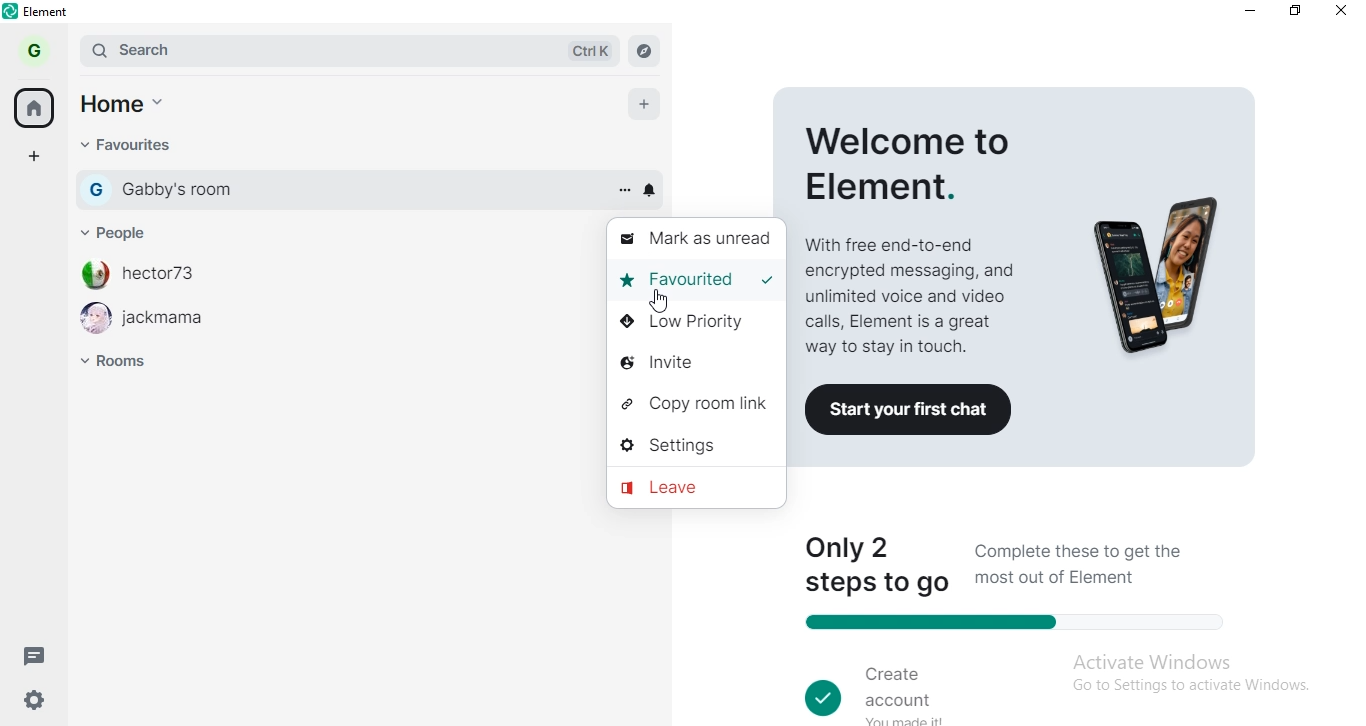  I want to click on mark as unread, so click(697, 243).